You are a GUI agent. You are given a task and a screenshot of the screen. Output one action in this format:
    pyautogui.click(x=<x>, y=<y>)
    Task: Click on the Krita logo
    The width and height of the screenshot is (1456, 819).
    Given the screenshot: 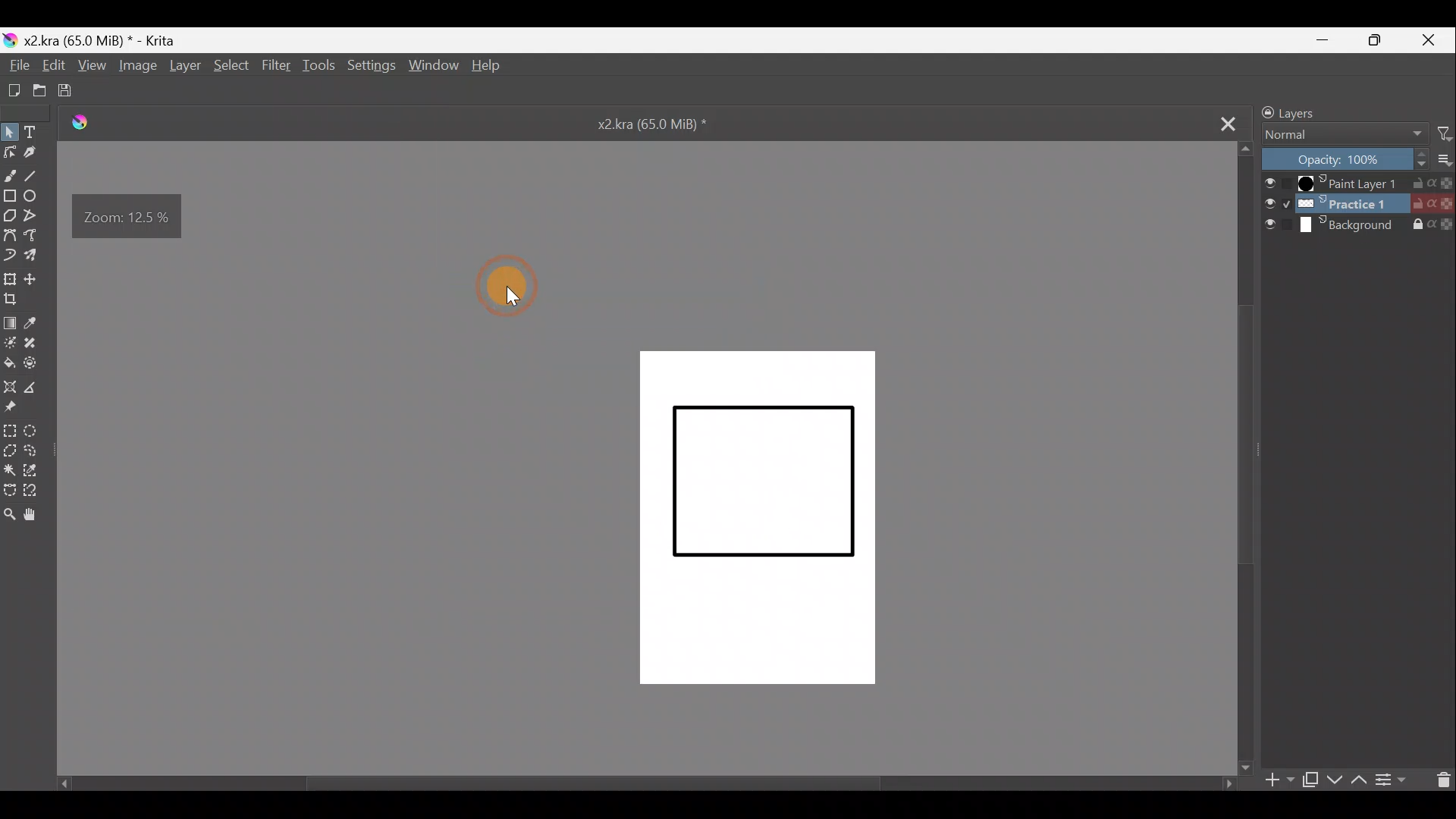 What is the action you would take?
    pyautogui.click(x=9, y=37)
    